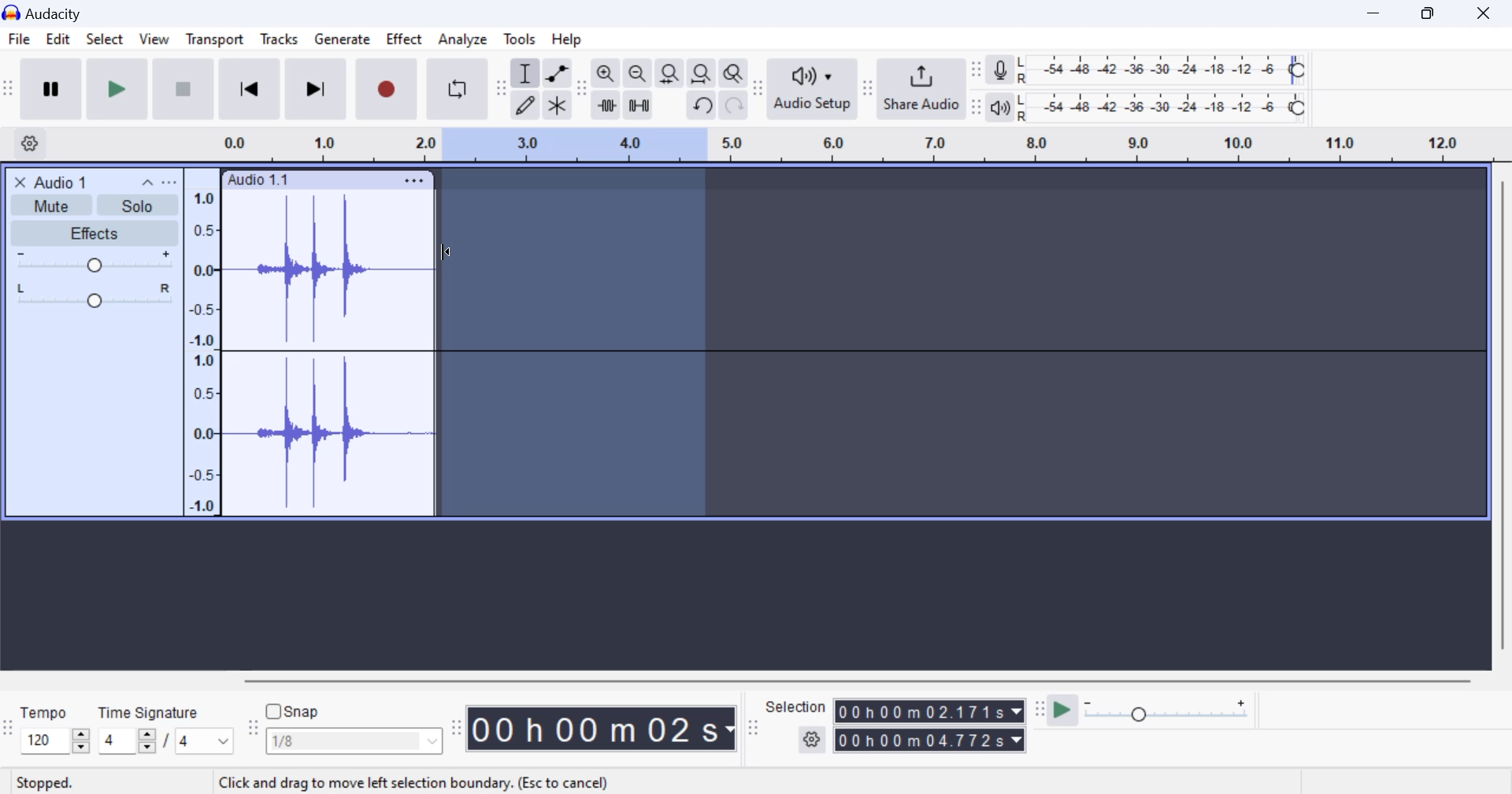 This screenshot has width=1512, height=794. What do you see at coordinates (98, 295) in the screenshot?
I see `Pan Center` at bounding box center [98, 295].